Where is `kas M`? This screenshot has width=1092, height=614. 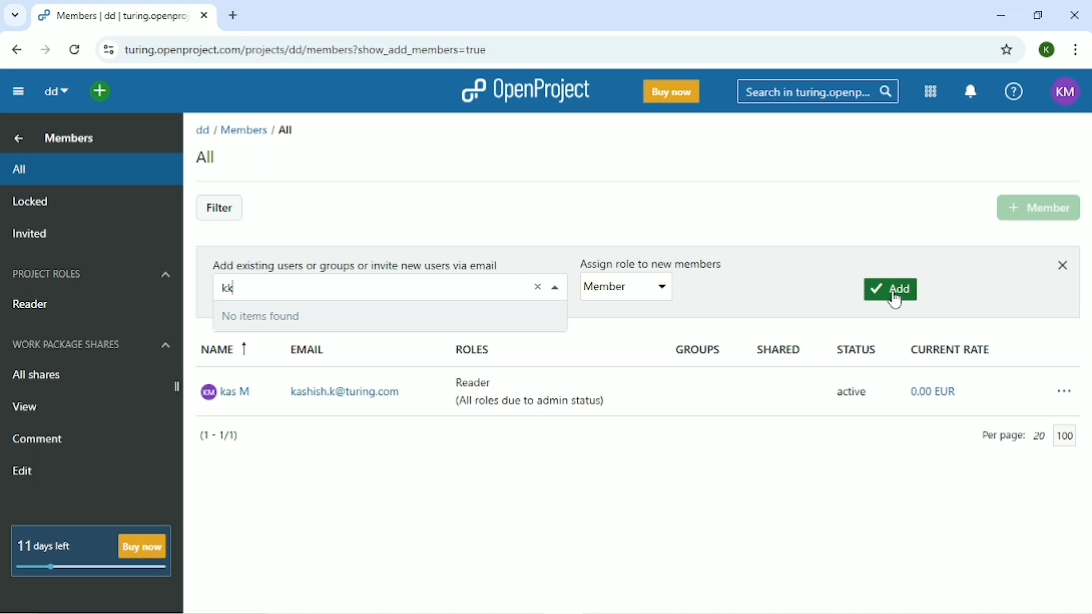
kas M is located at coordinates (225, 392).